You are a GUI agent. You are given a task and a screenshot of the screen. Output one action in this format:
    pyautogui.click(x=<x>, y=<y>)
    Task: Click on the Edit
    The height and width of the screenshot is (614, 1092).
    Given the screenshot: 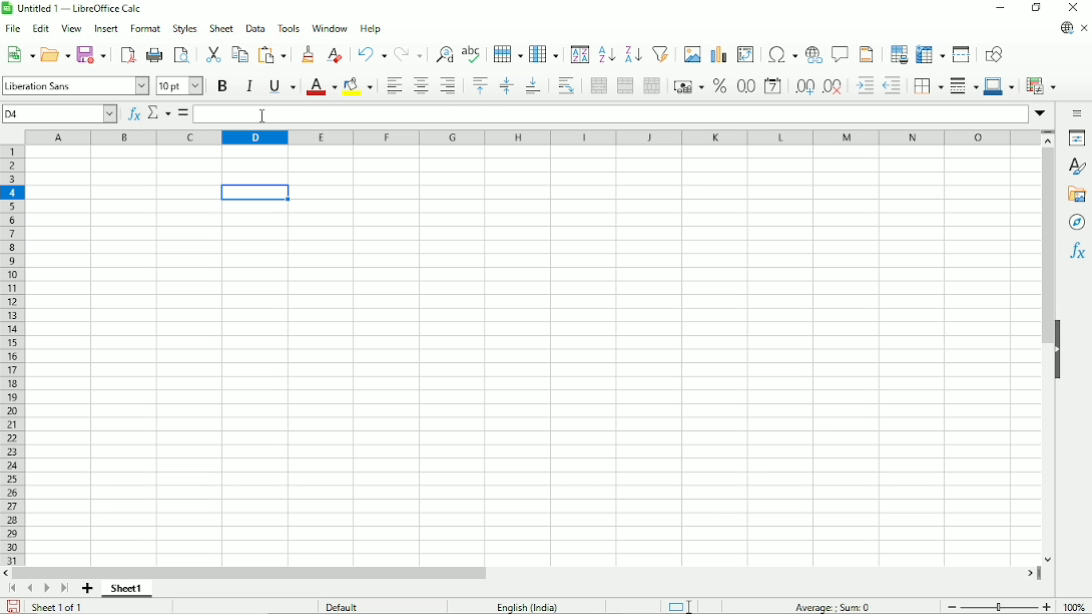 What is the action you would take?
    pyautogui.click(x=40, y=29)
    